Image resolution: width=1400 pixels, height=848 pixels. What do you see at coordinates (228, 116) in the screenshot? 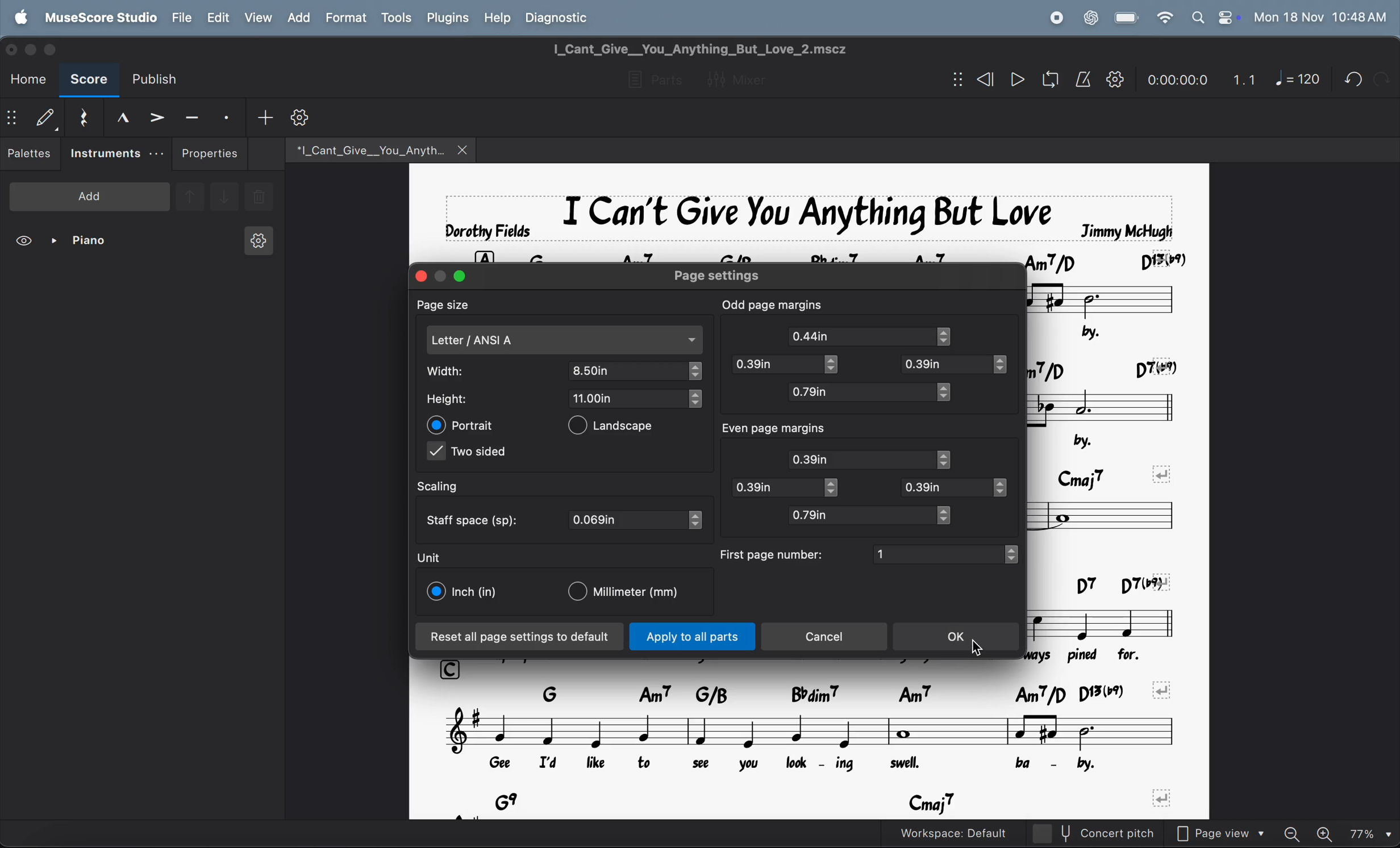
I see `staccato` at bounding box center [228, 116].